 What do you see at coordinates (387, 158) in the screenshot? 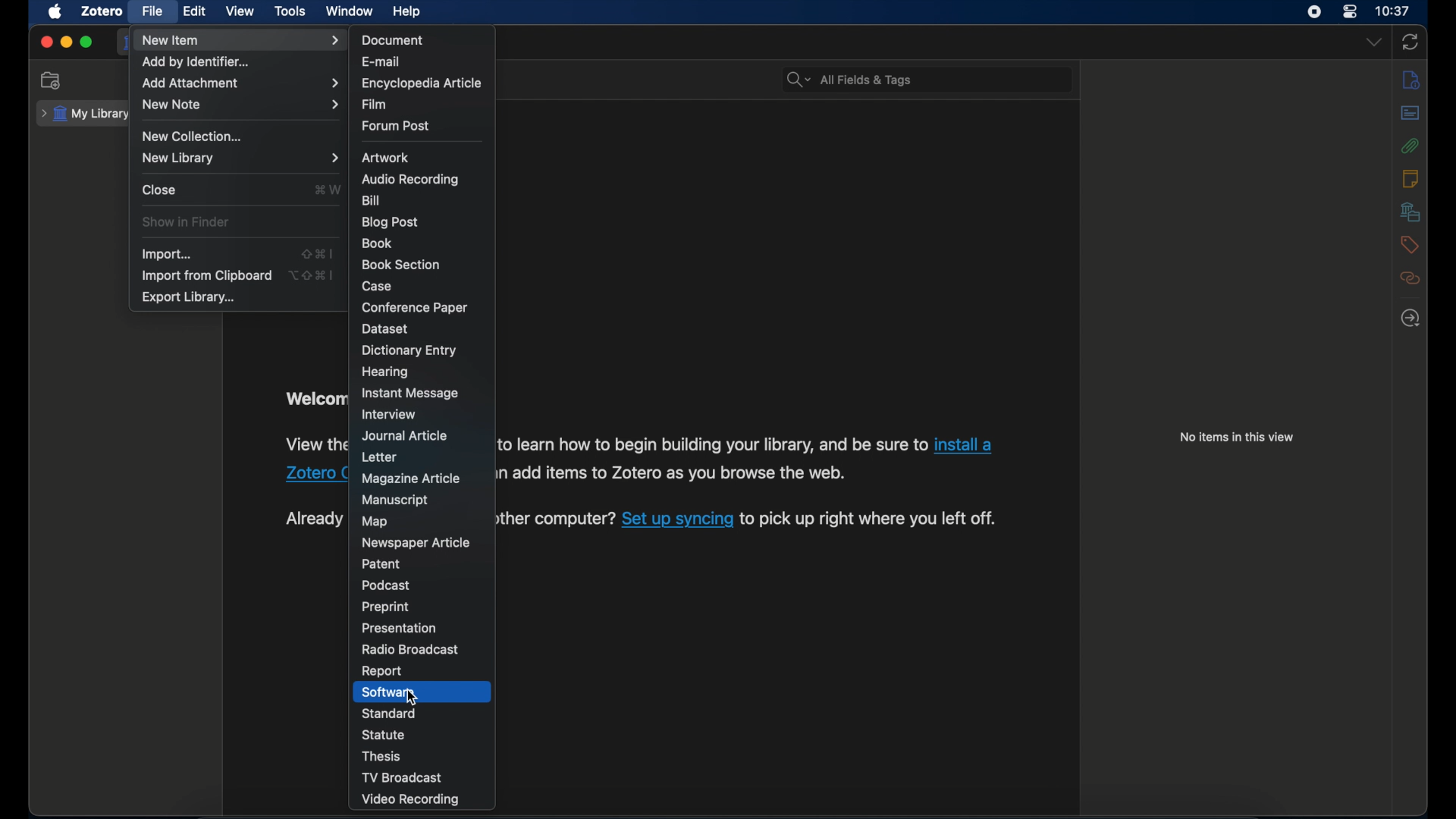
I see `artwork` at bounding box center [387, 158].